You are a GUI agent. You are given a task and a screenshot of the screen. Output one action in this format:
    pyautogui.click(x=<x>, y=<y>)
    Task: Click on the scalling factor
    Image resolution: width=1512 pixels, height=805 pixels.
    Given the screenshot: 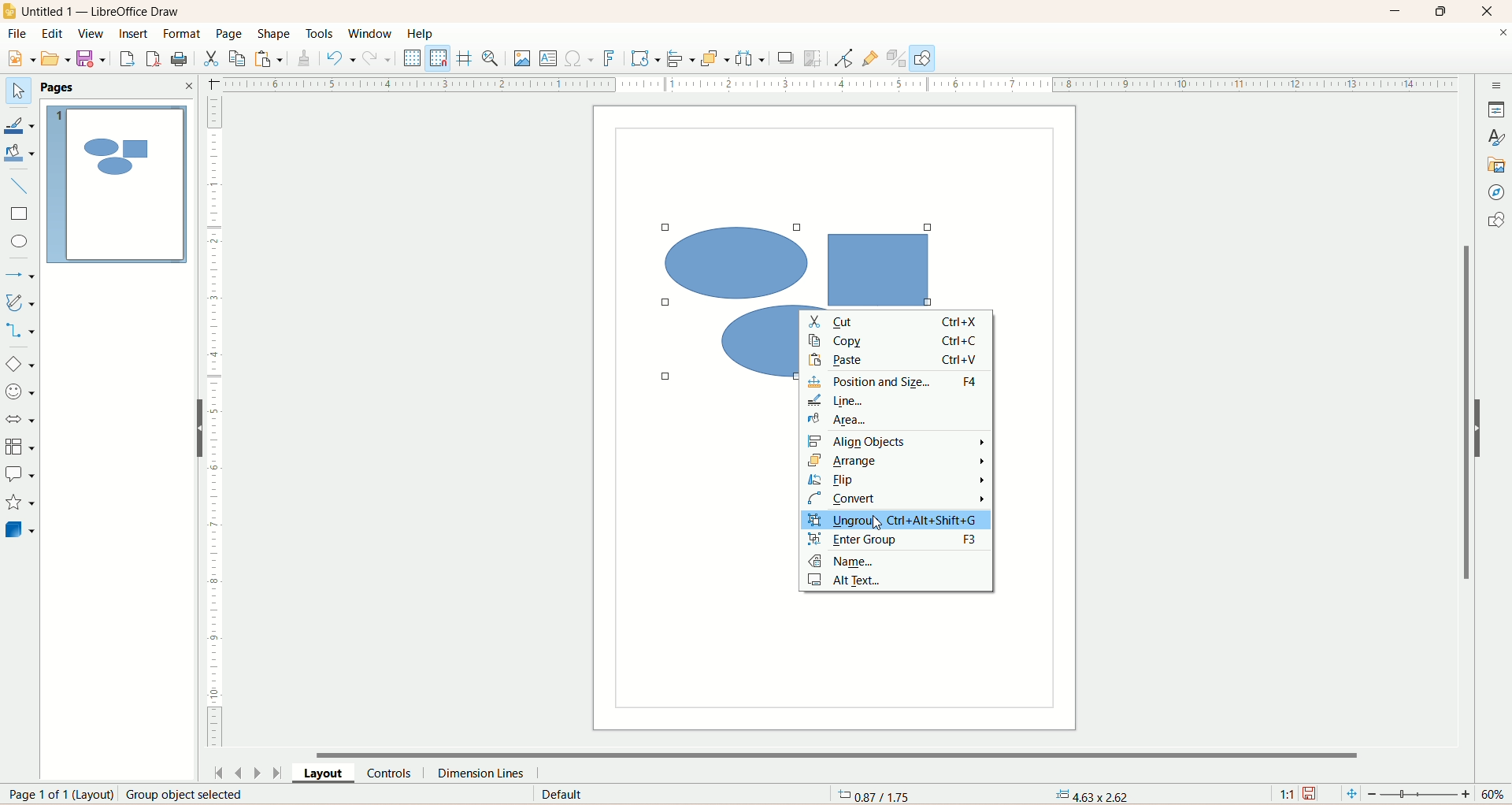 What is the action you would take?
    pyautogui.click(x=1288, y=792)
    